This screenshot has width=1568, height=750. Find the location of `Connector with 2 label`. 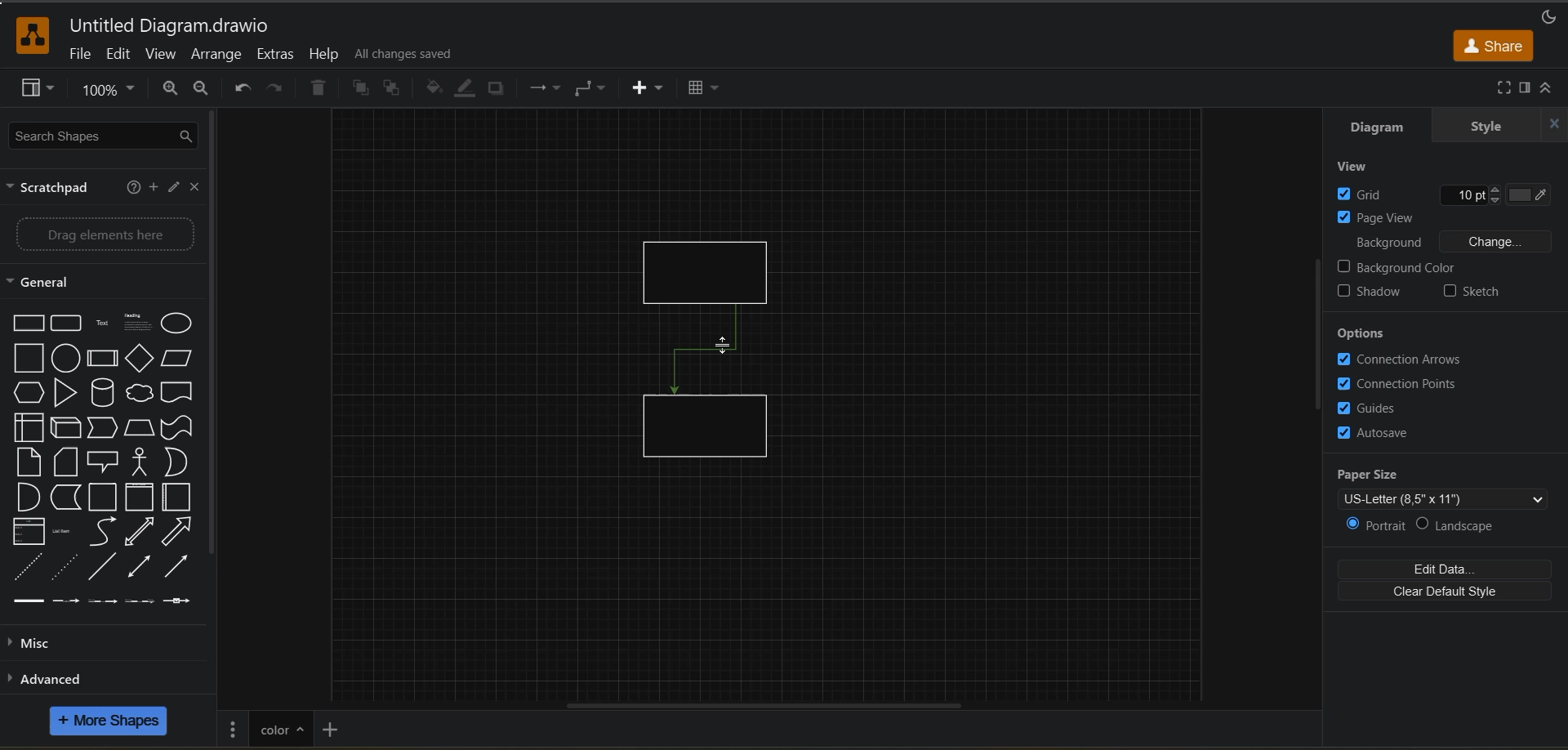

Connector with 2 label is located at coordinates (102, 602).